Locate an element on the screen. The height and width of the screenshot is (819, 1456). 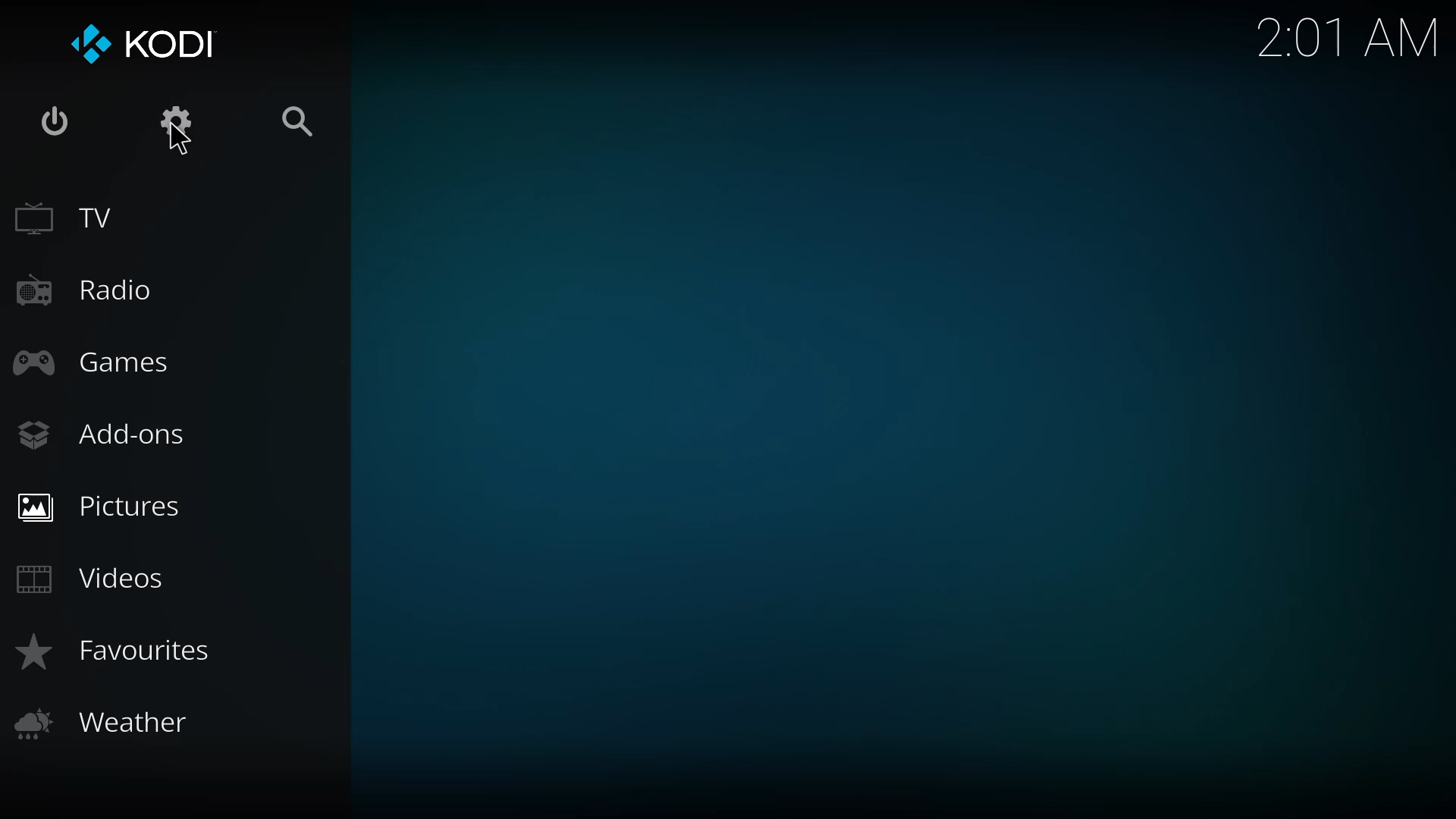
weather is located at coordinates (106, 722).